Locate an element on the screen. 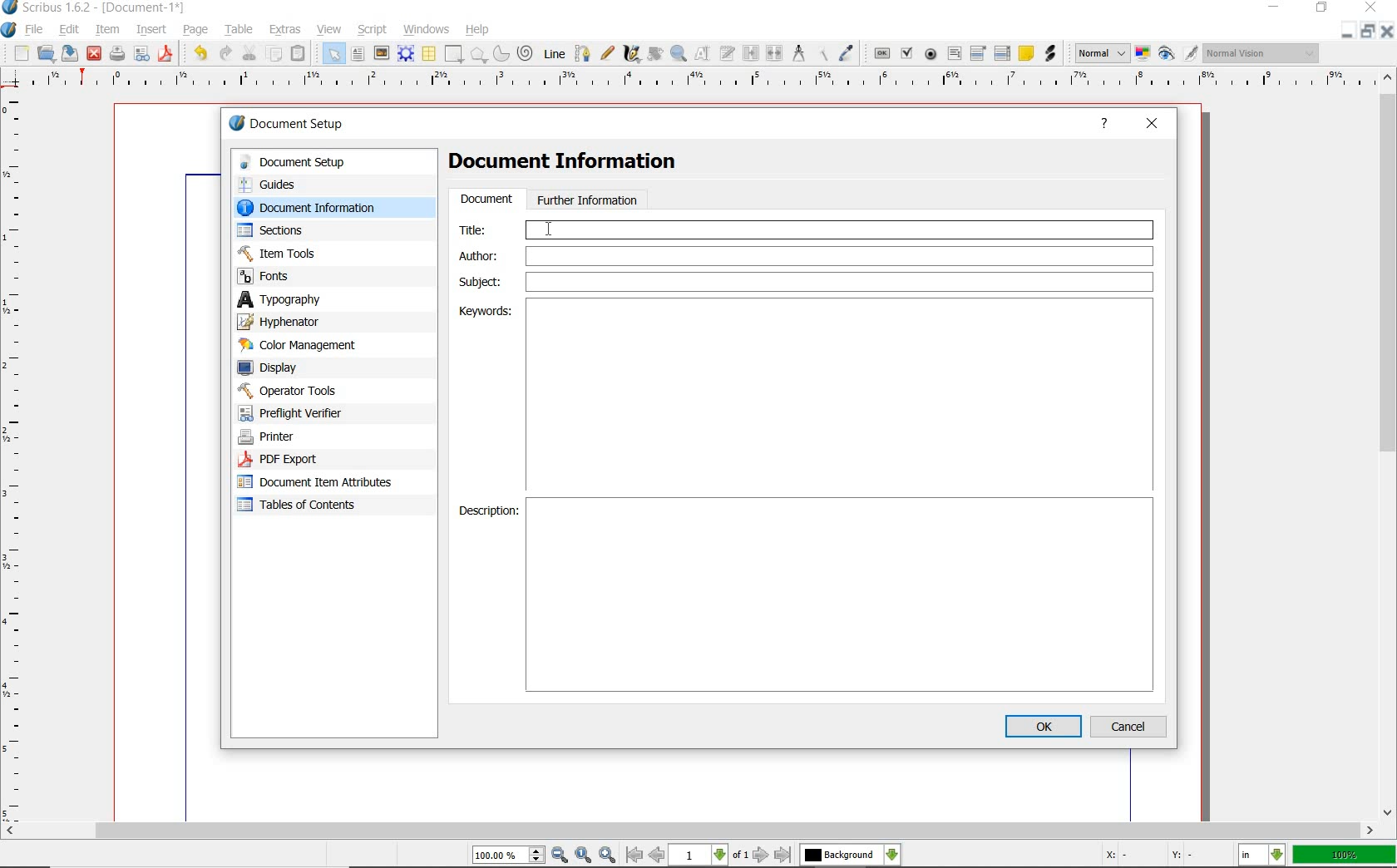  image frame is located at coordinates (382, 52).